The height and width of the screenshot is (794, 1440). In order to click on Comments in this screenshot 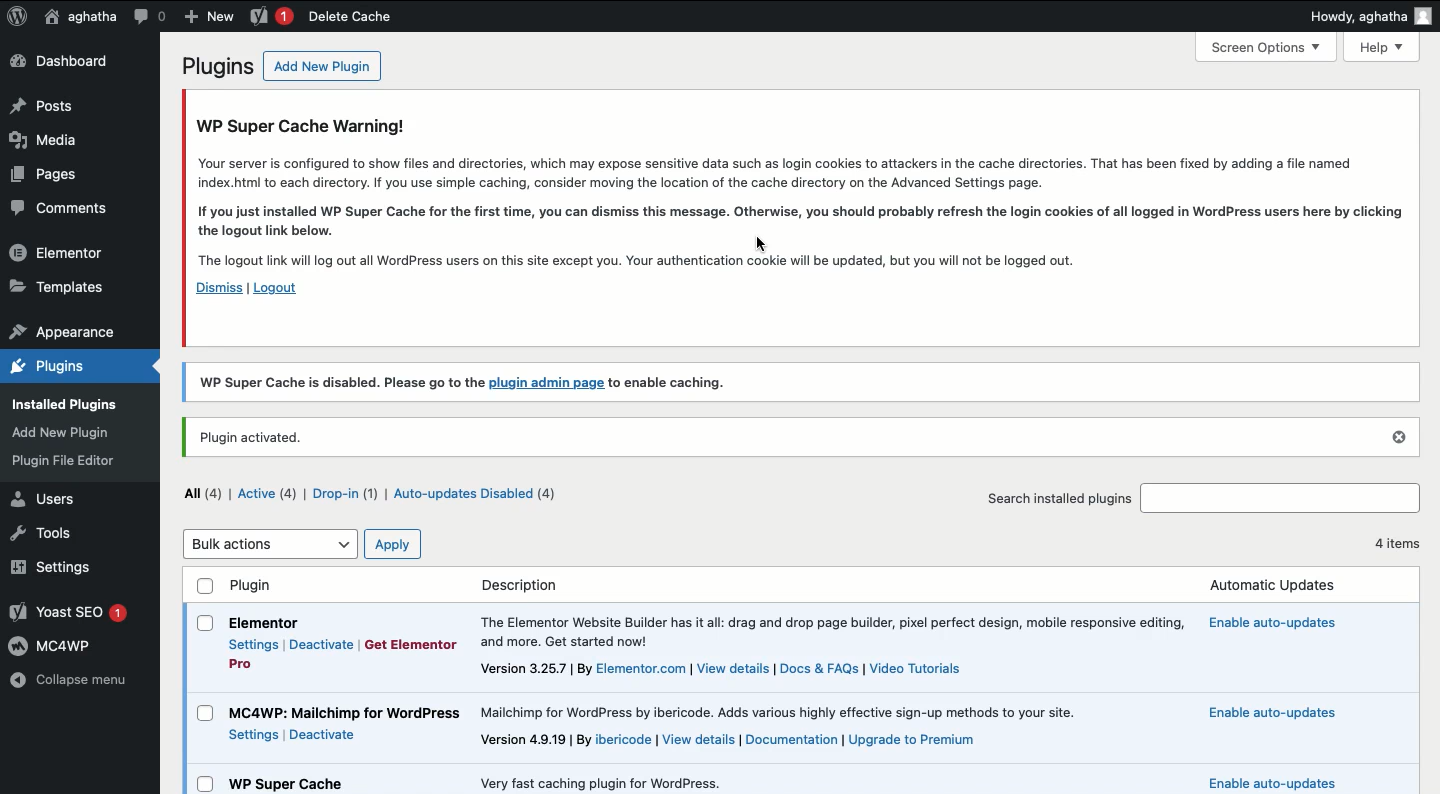, I will do `click(57, 210)`.